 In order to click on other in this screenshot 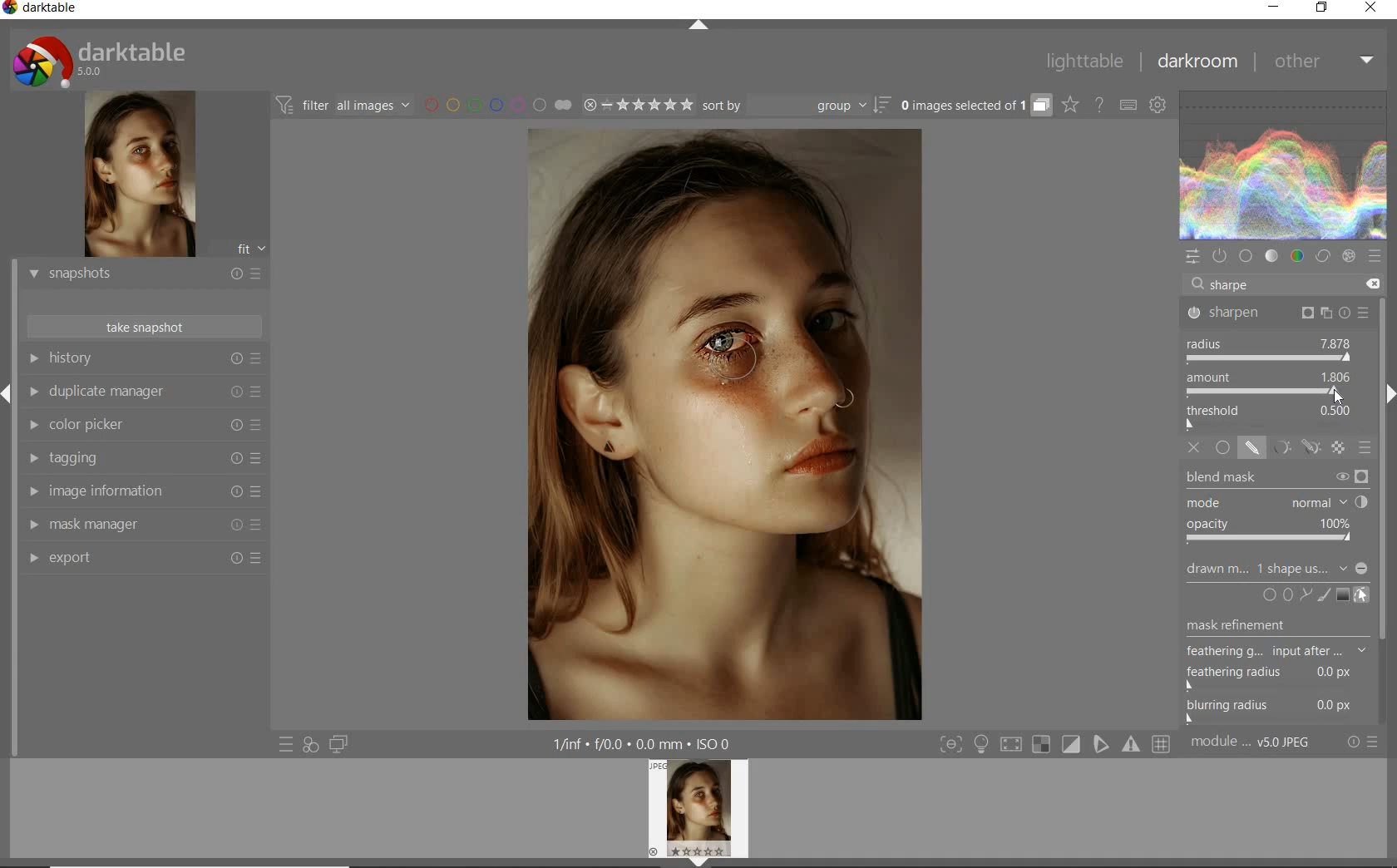, I will do `click(1321, 60)`.